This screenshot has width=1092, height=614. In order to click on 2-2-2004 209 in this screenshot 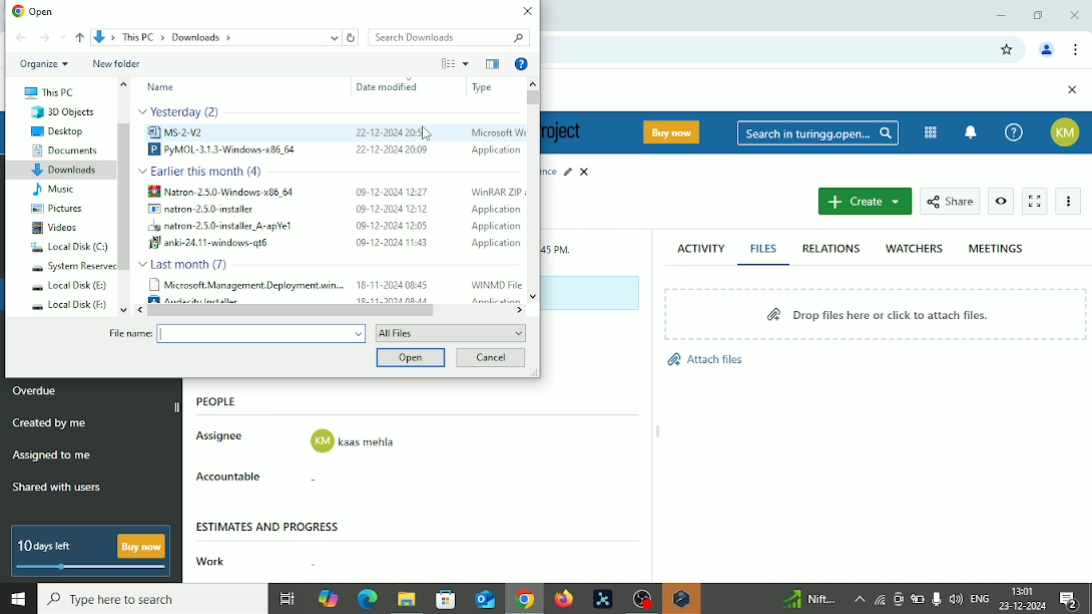, I will do `click(388, 132)`.